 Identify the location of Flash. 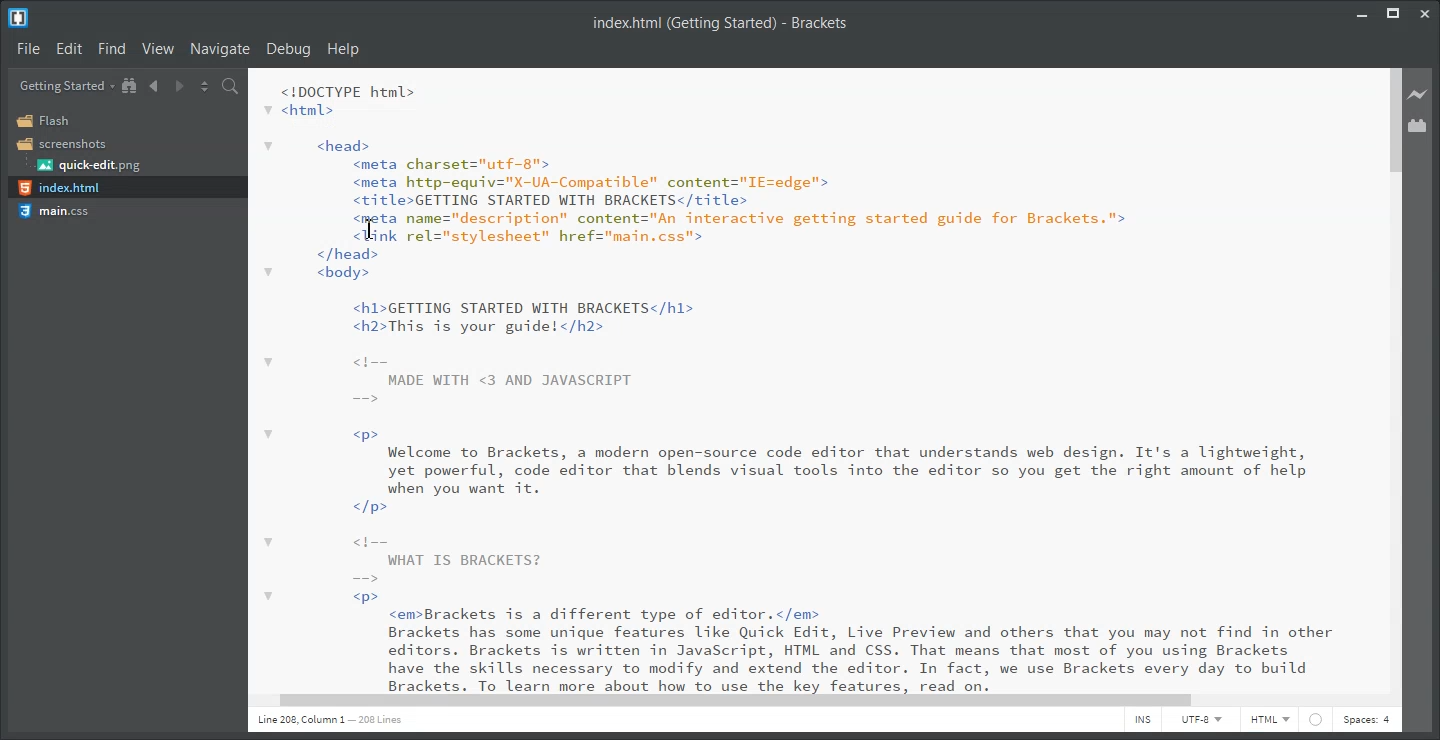
(45, 120).